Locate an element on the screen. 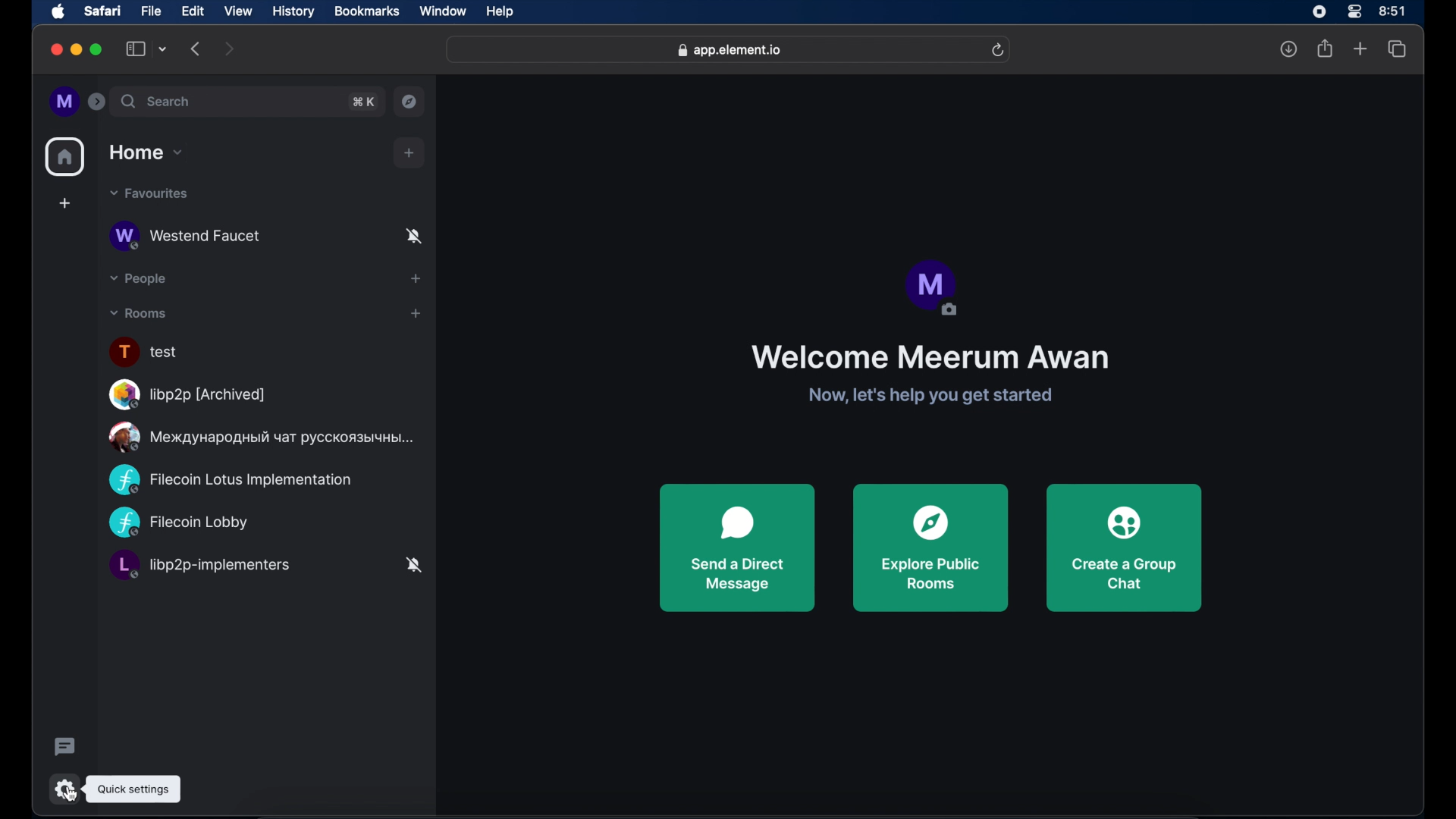 Image resolution: width=1456 pixels, height=819 pixels. apple icon is located at coordinates (58, 12).